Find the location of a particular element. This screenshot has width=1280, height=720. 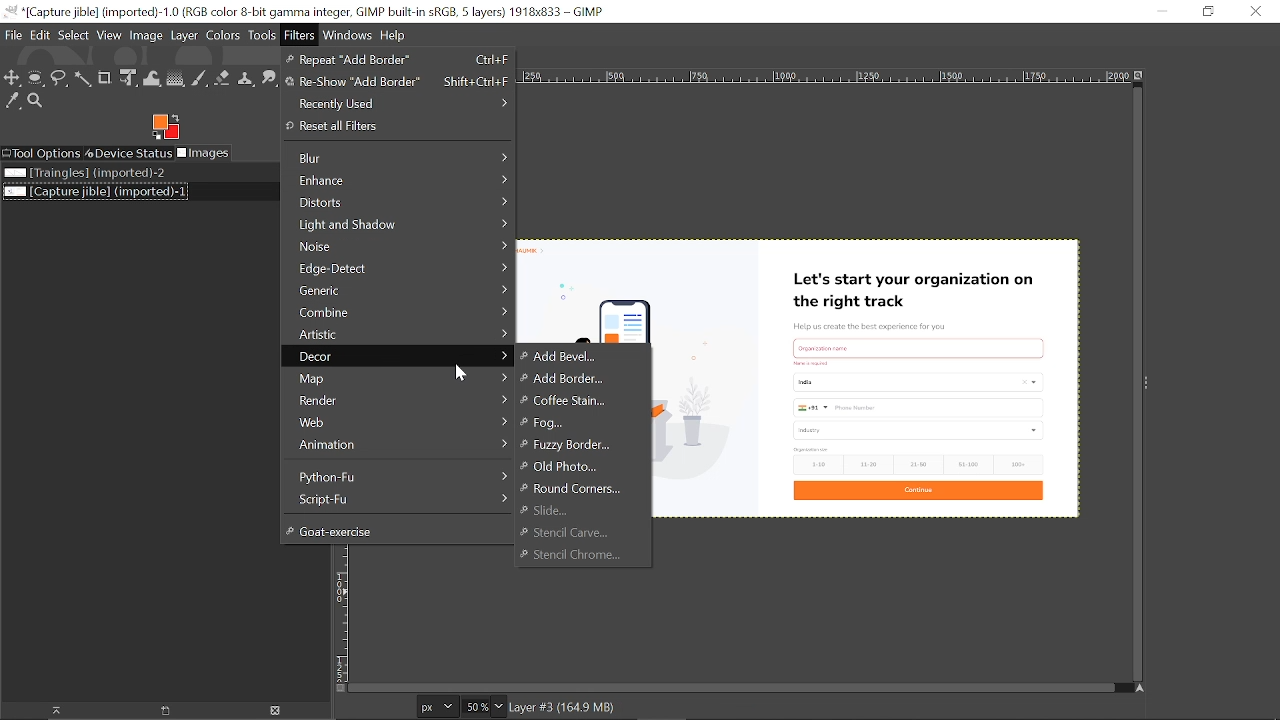

Distorts is located at coordinates (398, 204).